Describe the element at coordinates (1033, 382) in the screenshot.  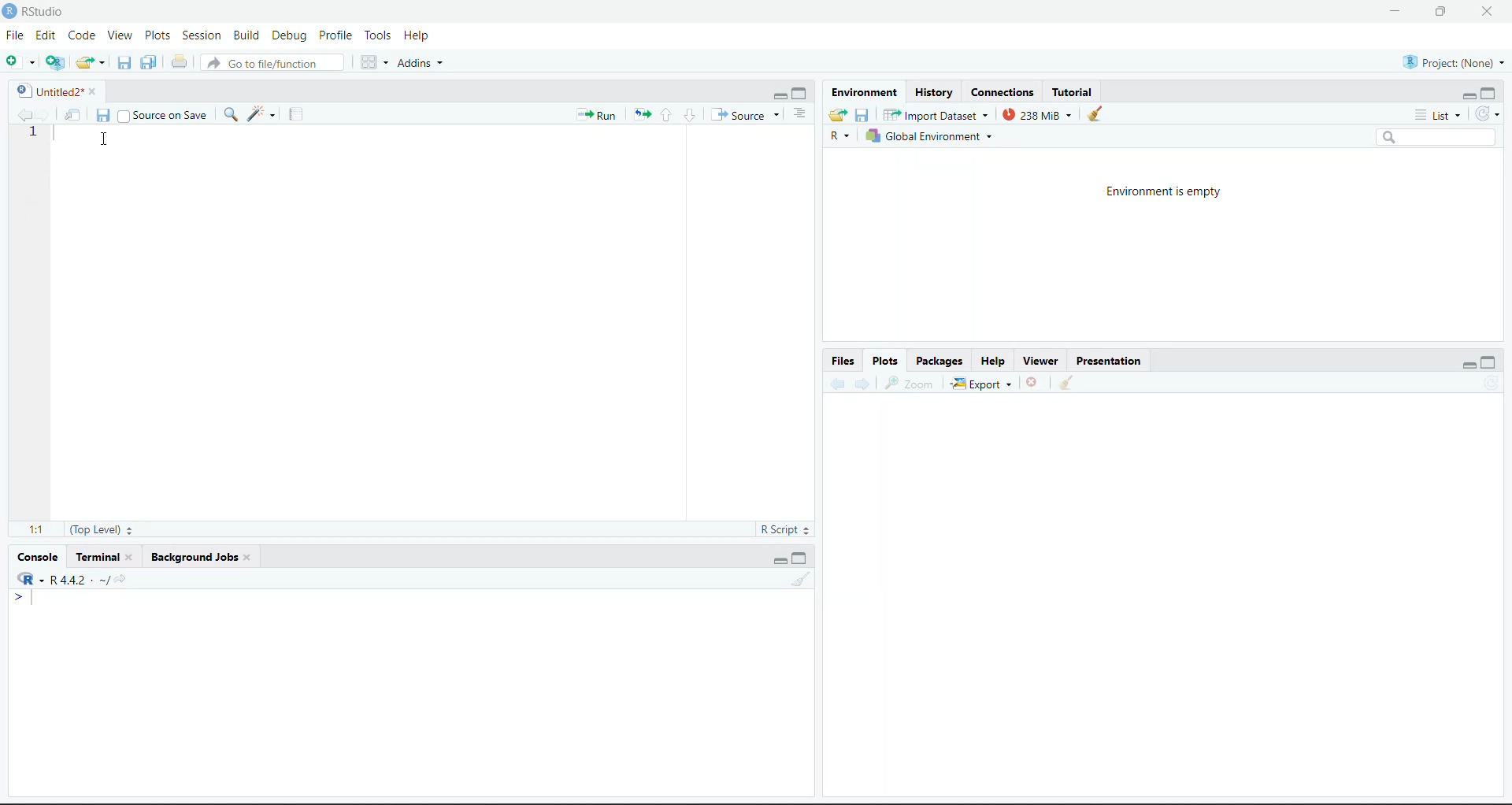
I see `close file` at that location.